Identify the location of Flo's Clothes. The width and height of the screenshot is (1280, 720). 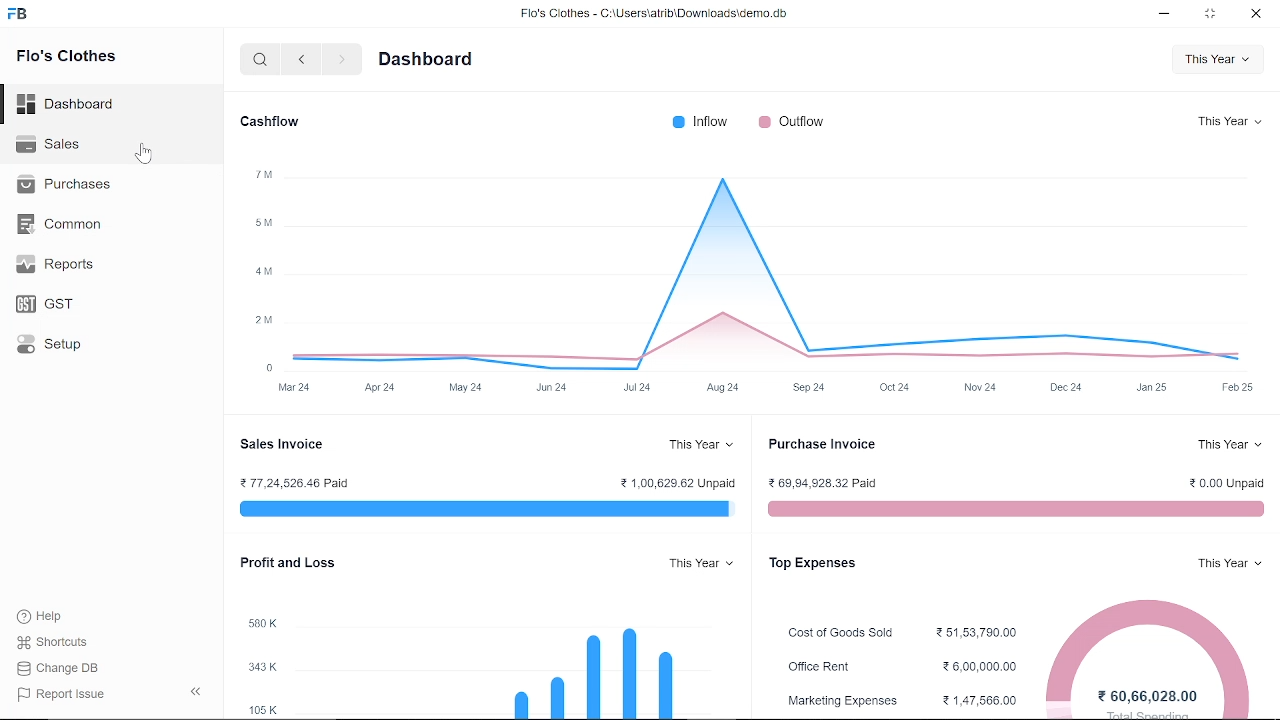
(71, 63).